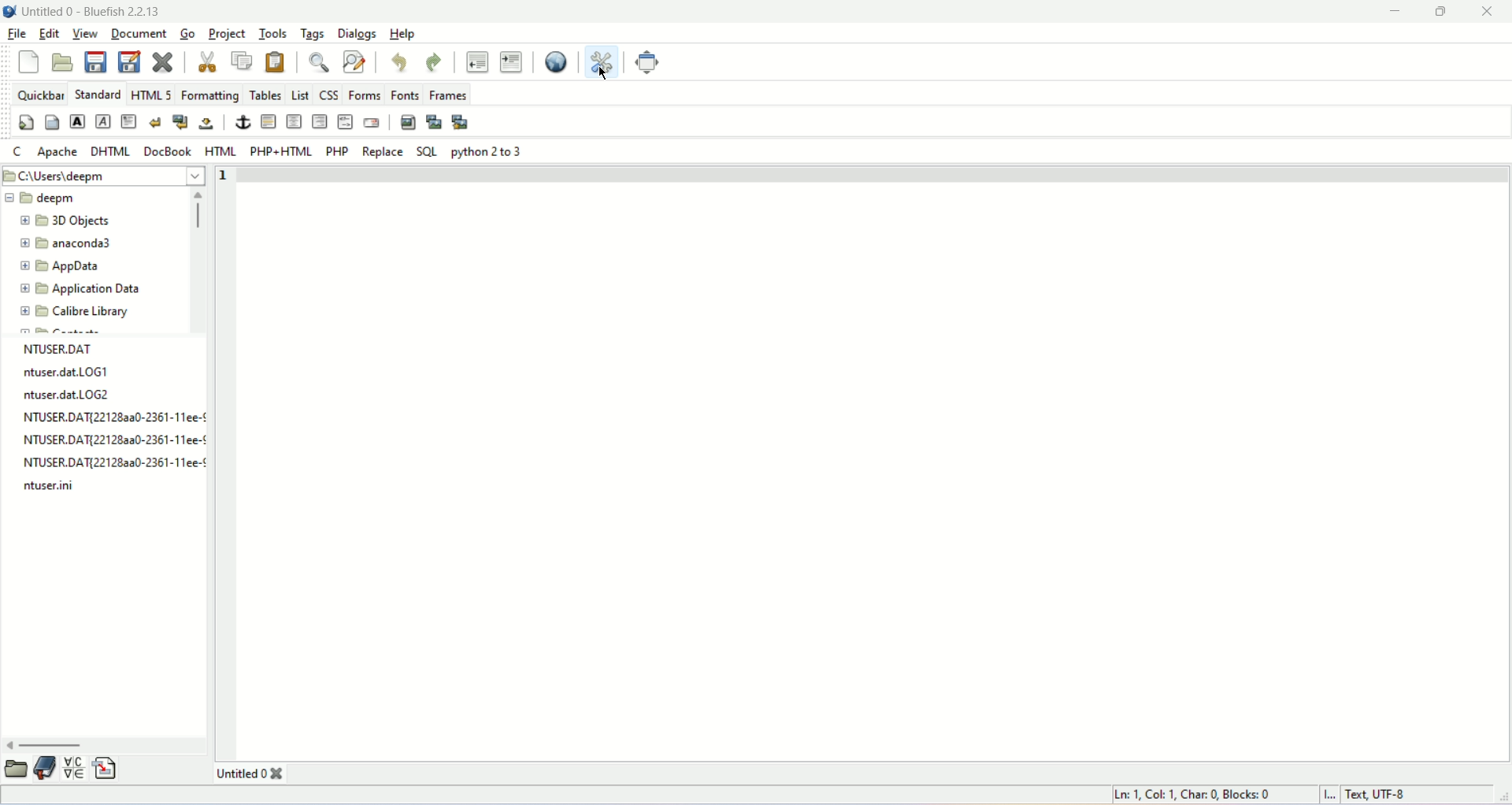 The height and width of the screenshot is (805, 1512). I want to click on anchor, so click(242, 122).